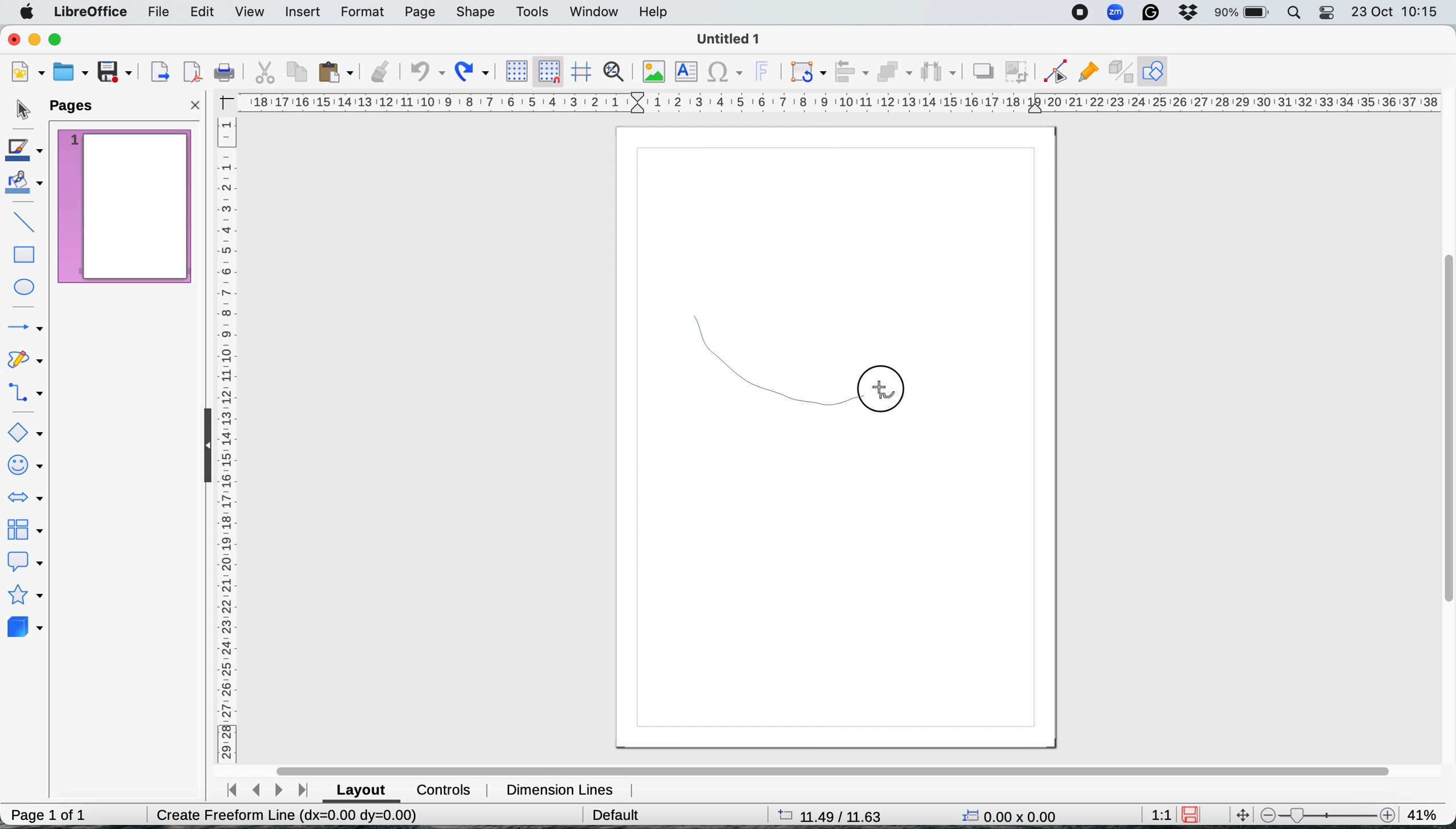 This screenshot has width=1456, height=829. I want to click on Create Freeform Line (dx=0.00 dy=0.00), so click(289, 814).